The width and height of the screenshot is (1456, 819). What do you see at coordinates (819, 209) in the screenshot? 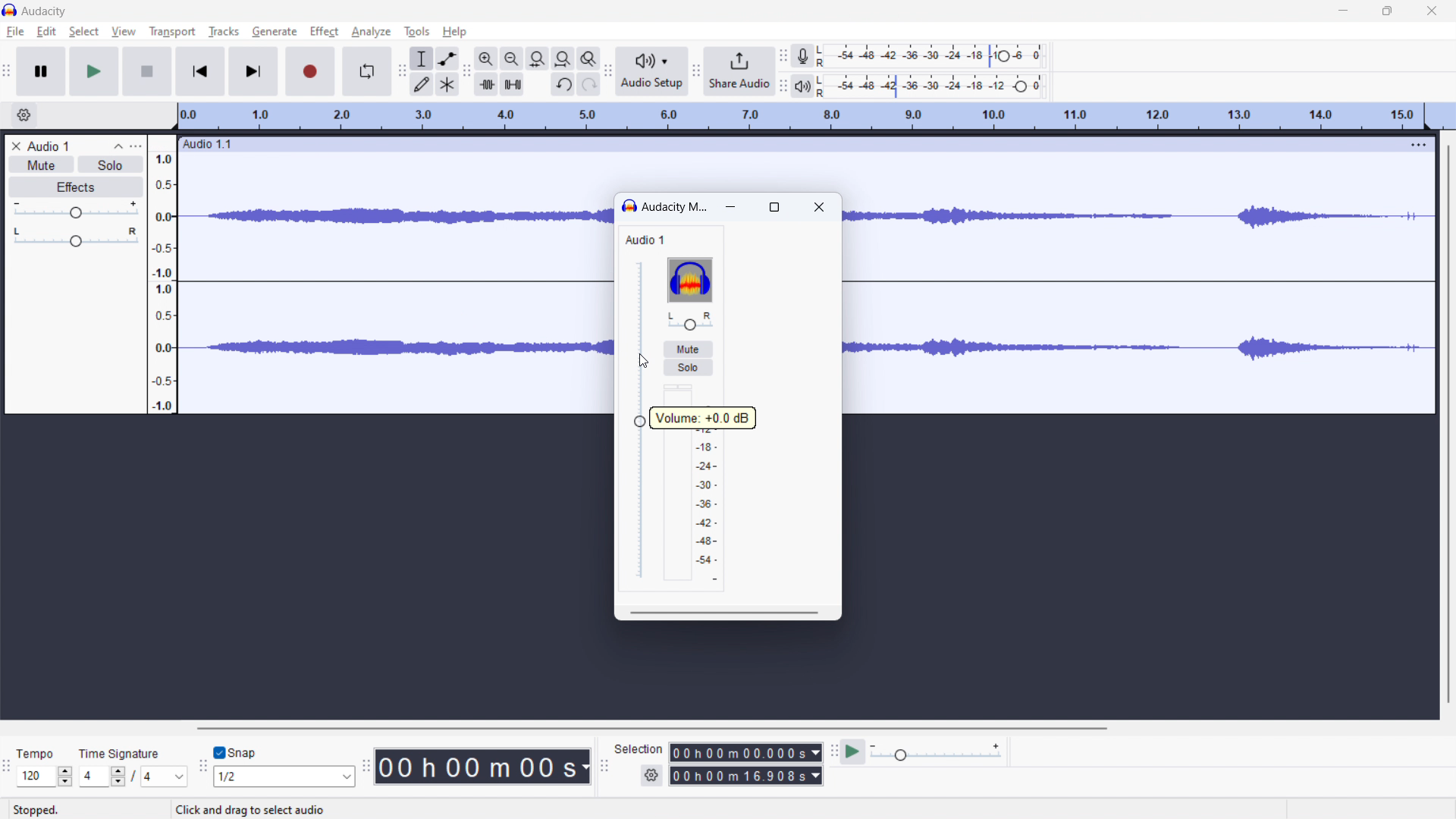
I see `close` at bounding box center [819, 209].